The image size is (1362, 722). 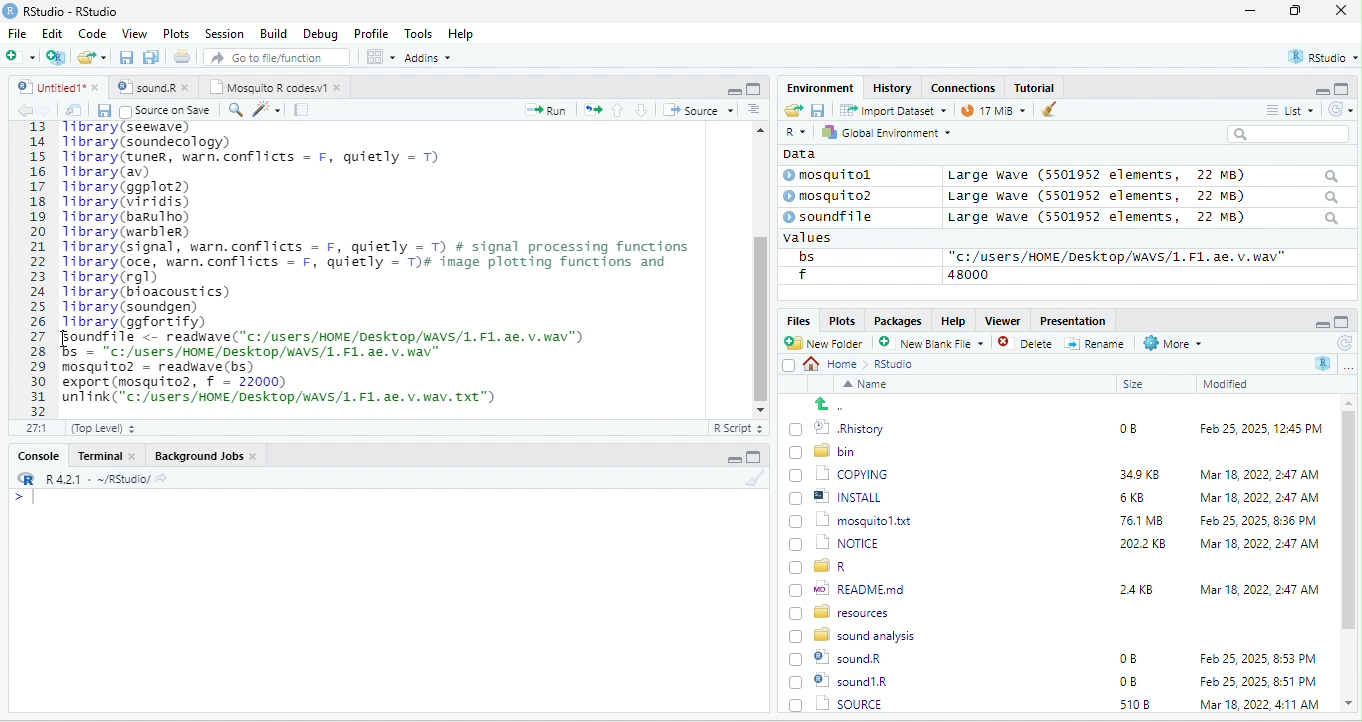 What do you see at coordinates (274, 33) in the screenshot?
I see `Build` at bounding box center [274, 33].